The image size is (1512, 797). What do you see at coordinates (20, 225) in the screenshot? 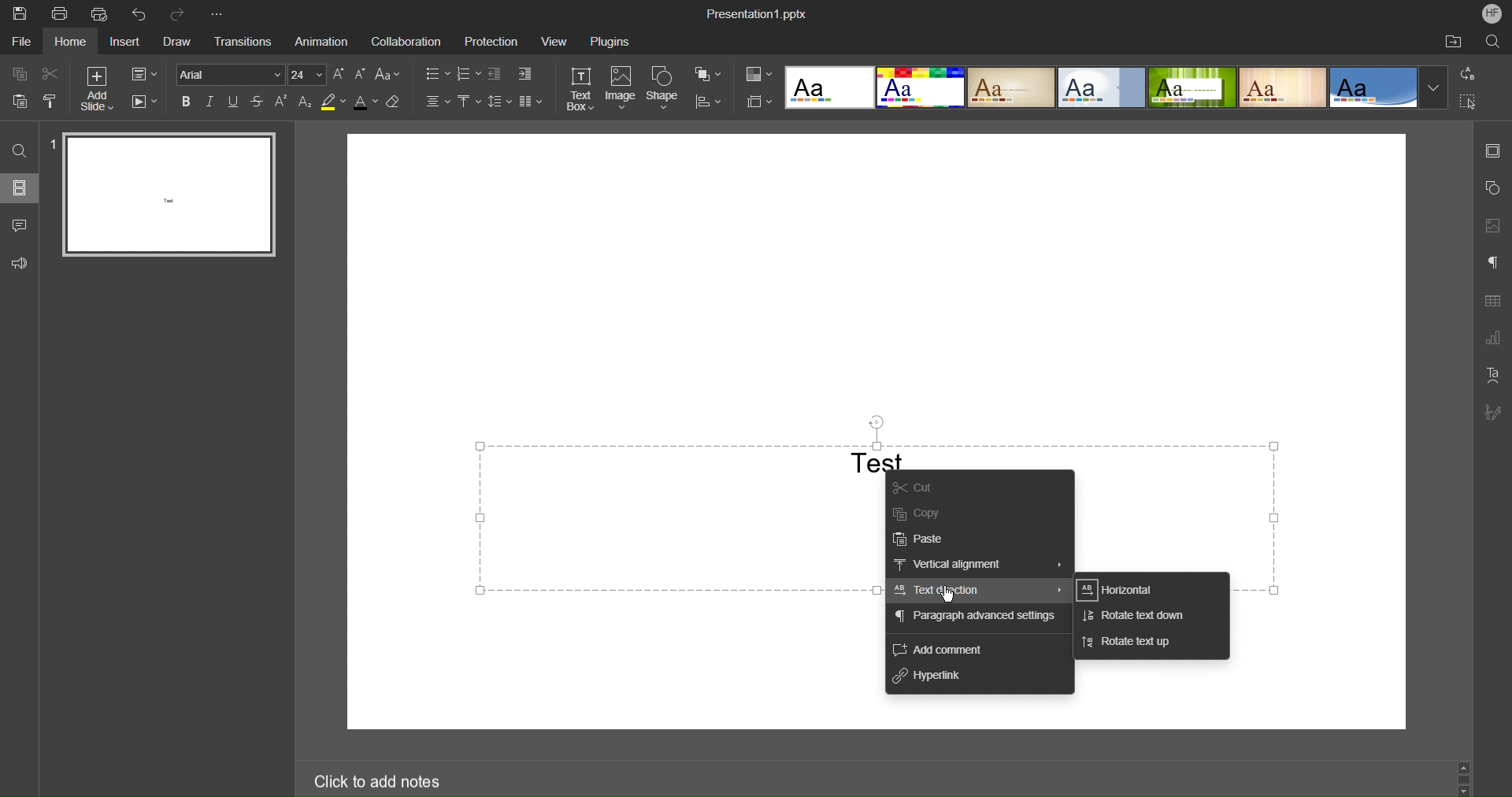
I see `Comment` at bounding box center [20, 225].